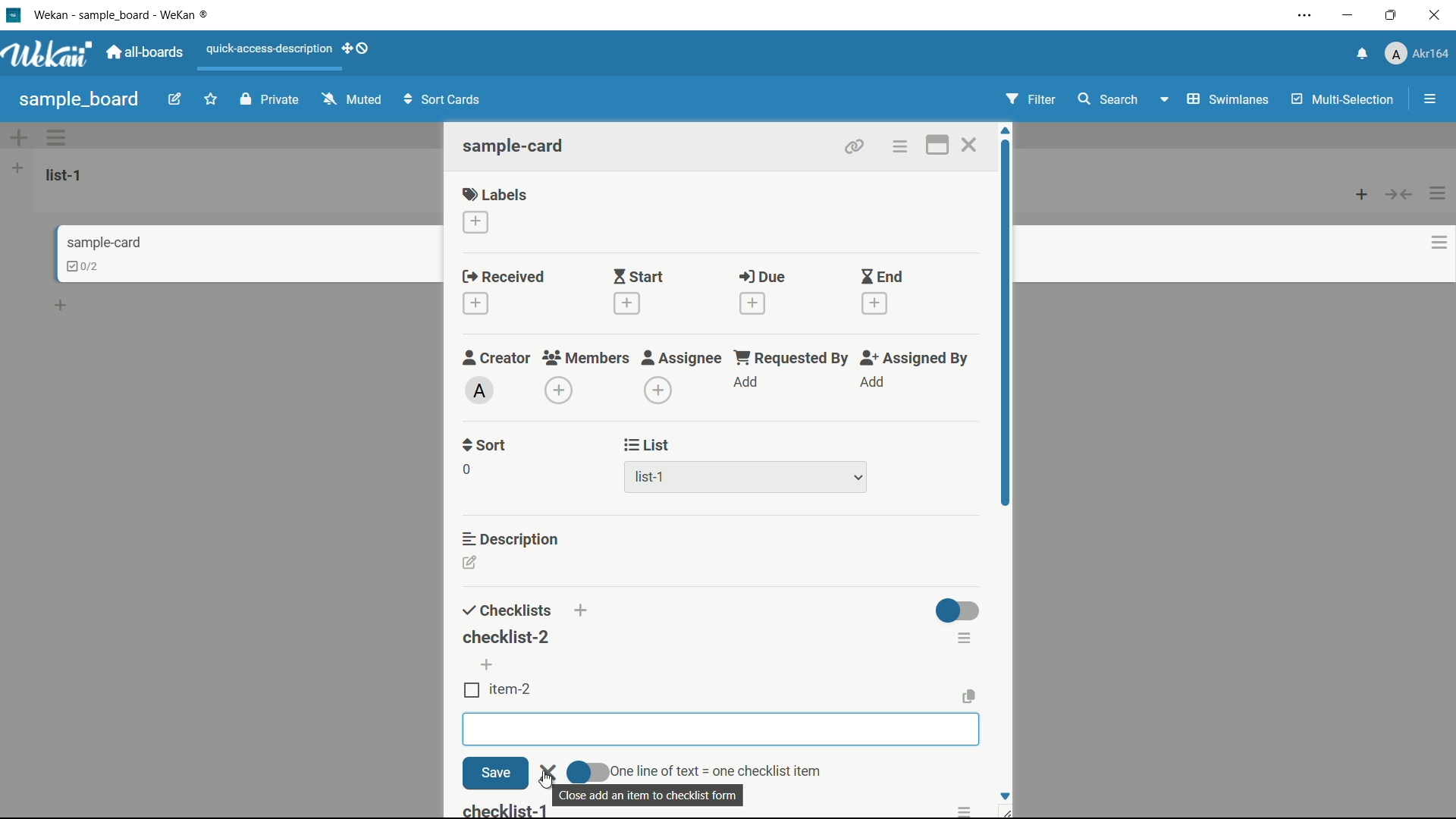 This screenshot has width=1456, height=819. Describe the element at coordinates (1031, 100) in the screenshot. I see `filter` at that location.